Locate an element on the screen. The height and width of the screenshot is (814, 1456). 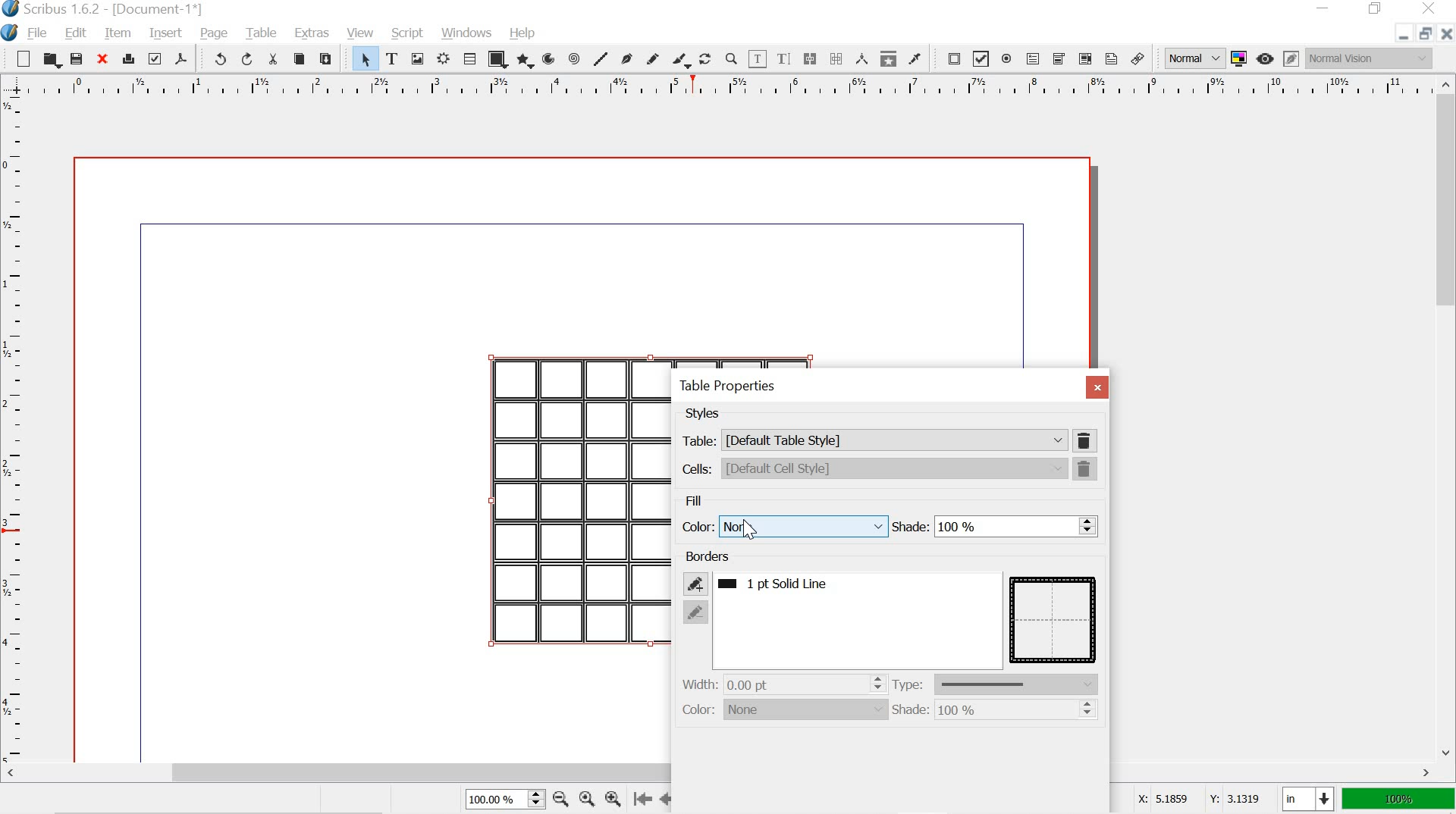
undo is located at coordinates (217, 58).